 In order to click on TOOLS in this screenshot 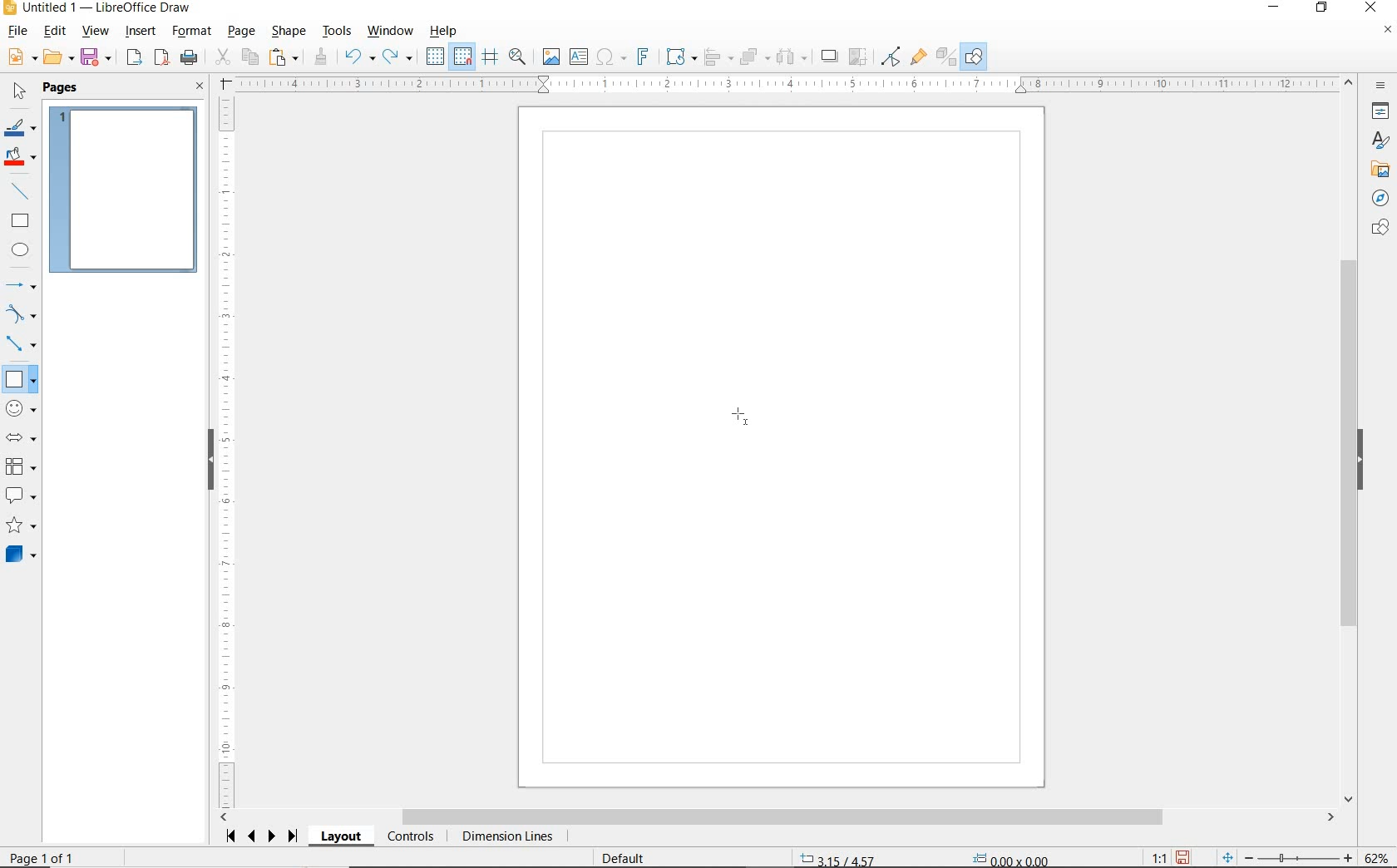, I will do `click(338, 32)`.